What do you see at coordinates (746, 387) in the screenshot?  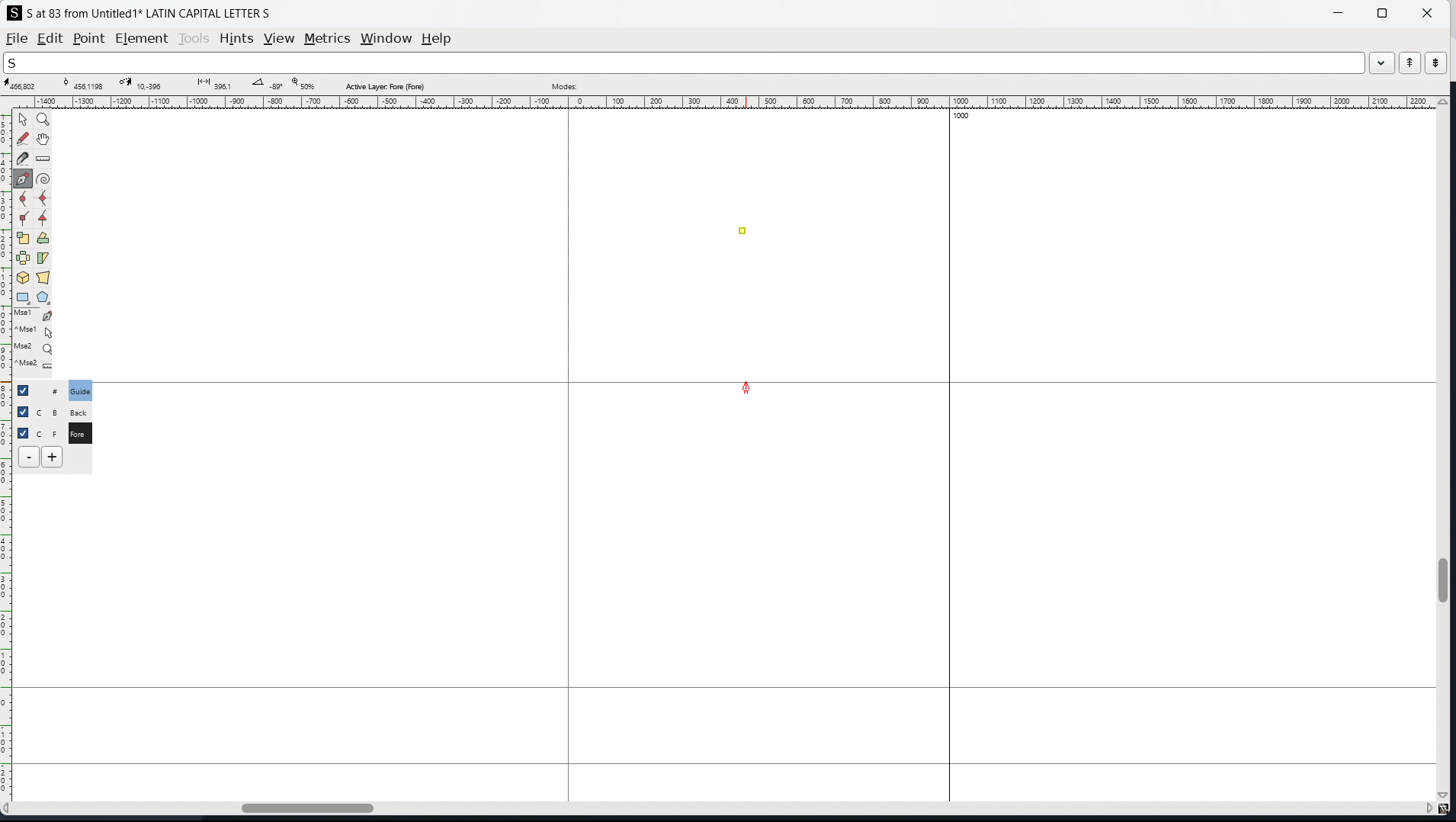 I see `Cursor` at bounding box center [746, 387].